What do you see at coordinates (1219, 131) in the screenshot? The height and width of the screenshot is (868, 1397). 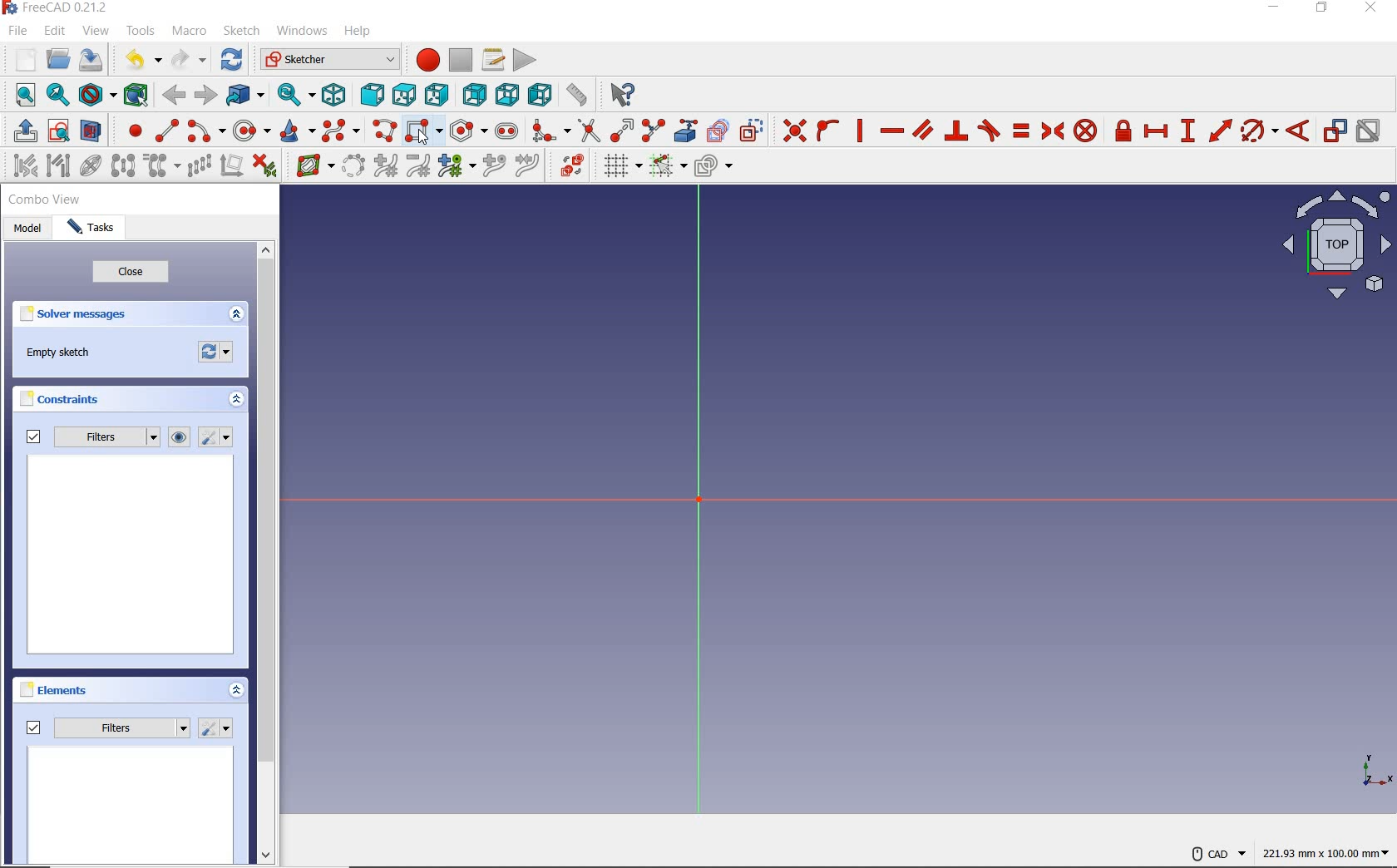 I see `constrain distance` at bounding box center [1219, 131].